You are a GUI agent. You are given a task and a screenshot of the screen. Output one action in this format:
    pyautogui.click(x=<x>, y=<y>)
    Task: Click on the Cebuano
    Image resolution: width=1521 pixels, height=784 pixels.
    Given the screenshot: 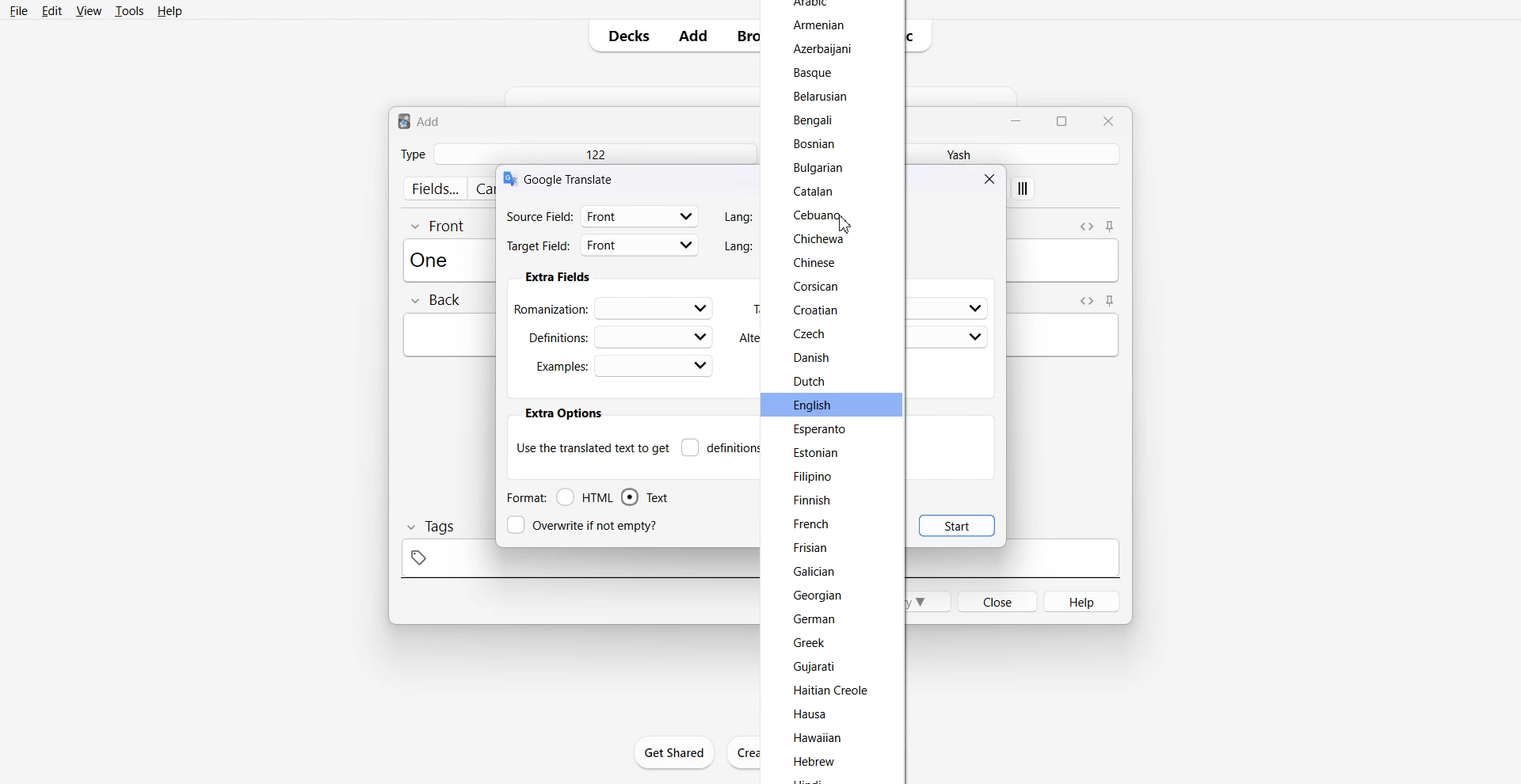 What is the action you would take?
    pyautogui.click(x=815, y=214)
    